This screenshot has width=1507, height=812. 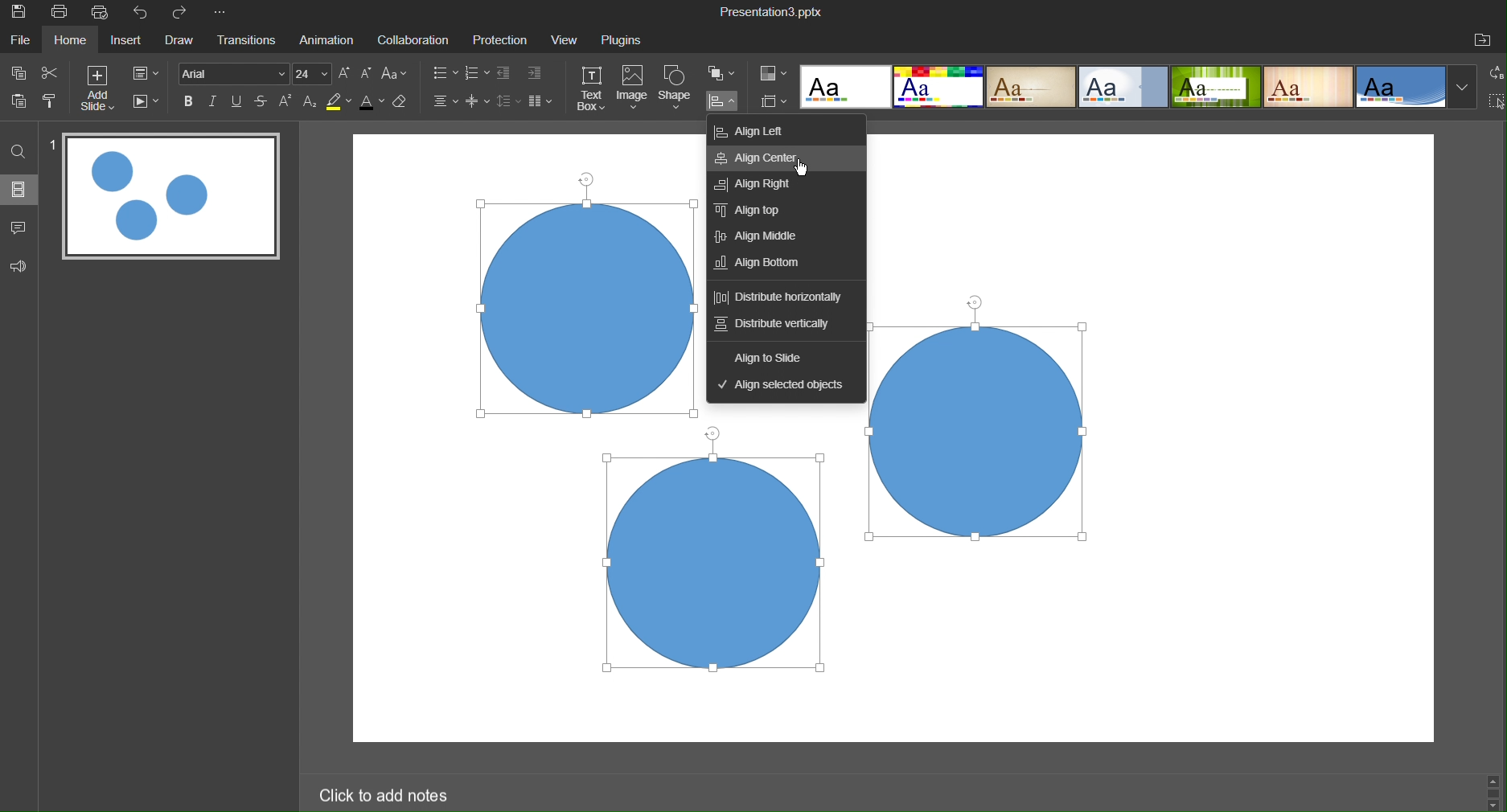 What do you see at coordinates (105, 92) in the screenshot?
I see `Add Slide` at bounding box center [105, 92].